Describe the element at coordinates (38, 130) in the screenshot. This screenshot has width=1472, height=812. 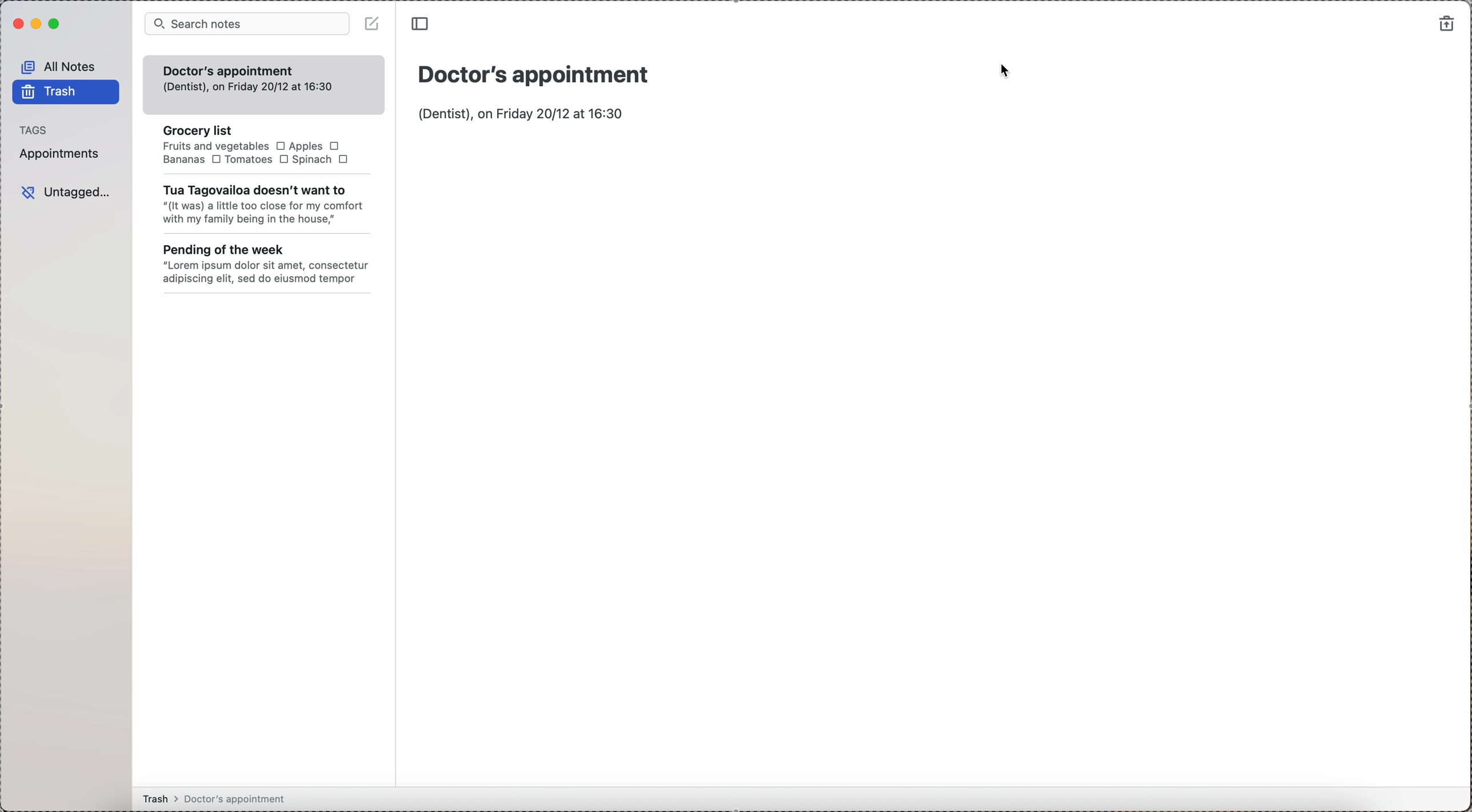
I see `tags` at that location.